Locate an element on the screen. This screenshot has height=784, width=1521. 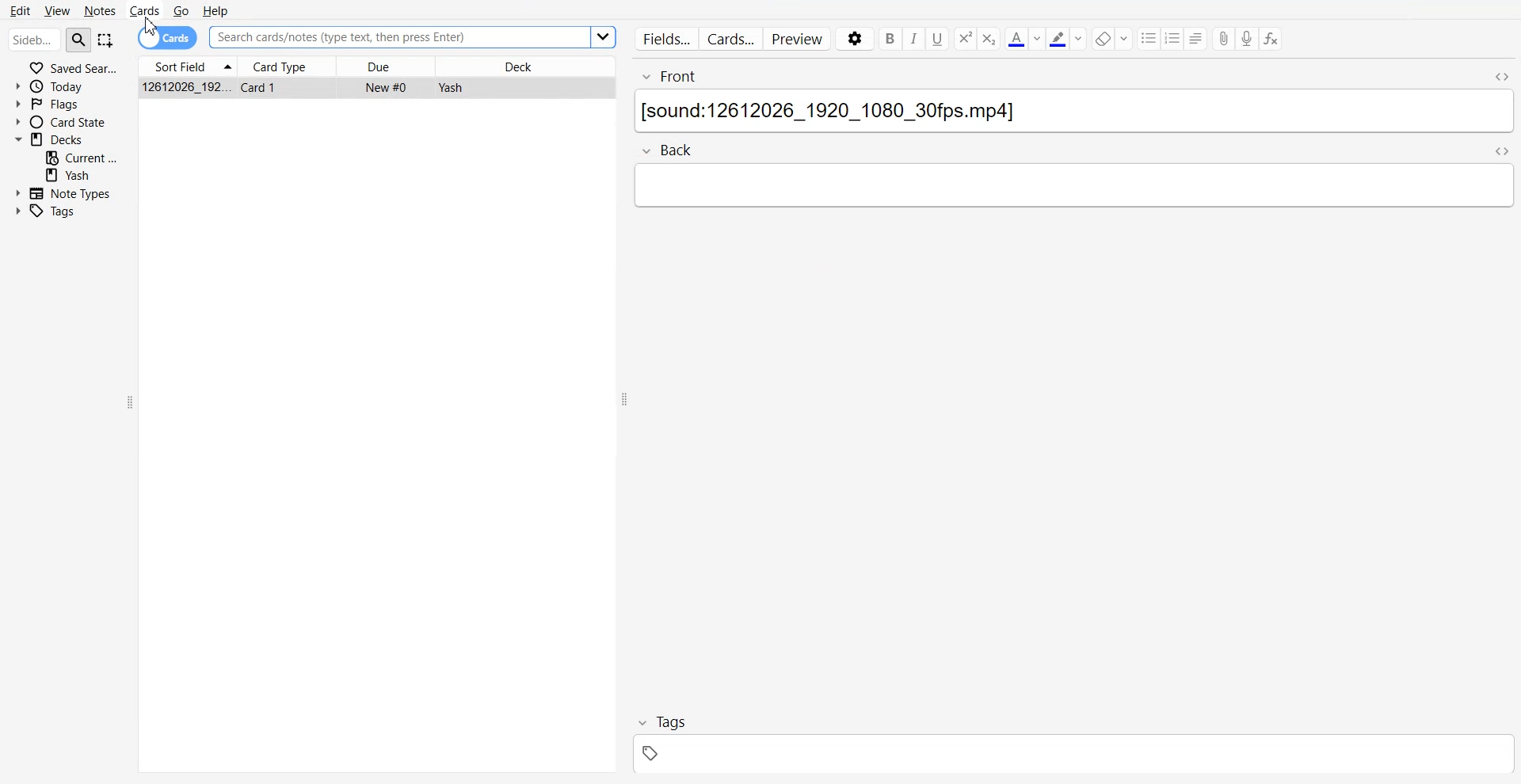
Ordered list is located at coordinates (1174, 38).